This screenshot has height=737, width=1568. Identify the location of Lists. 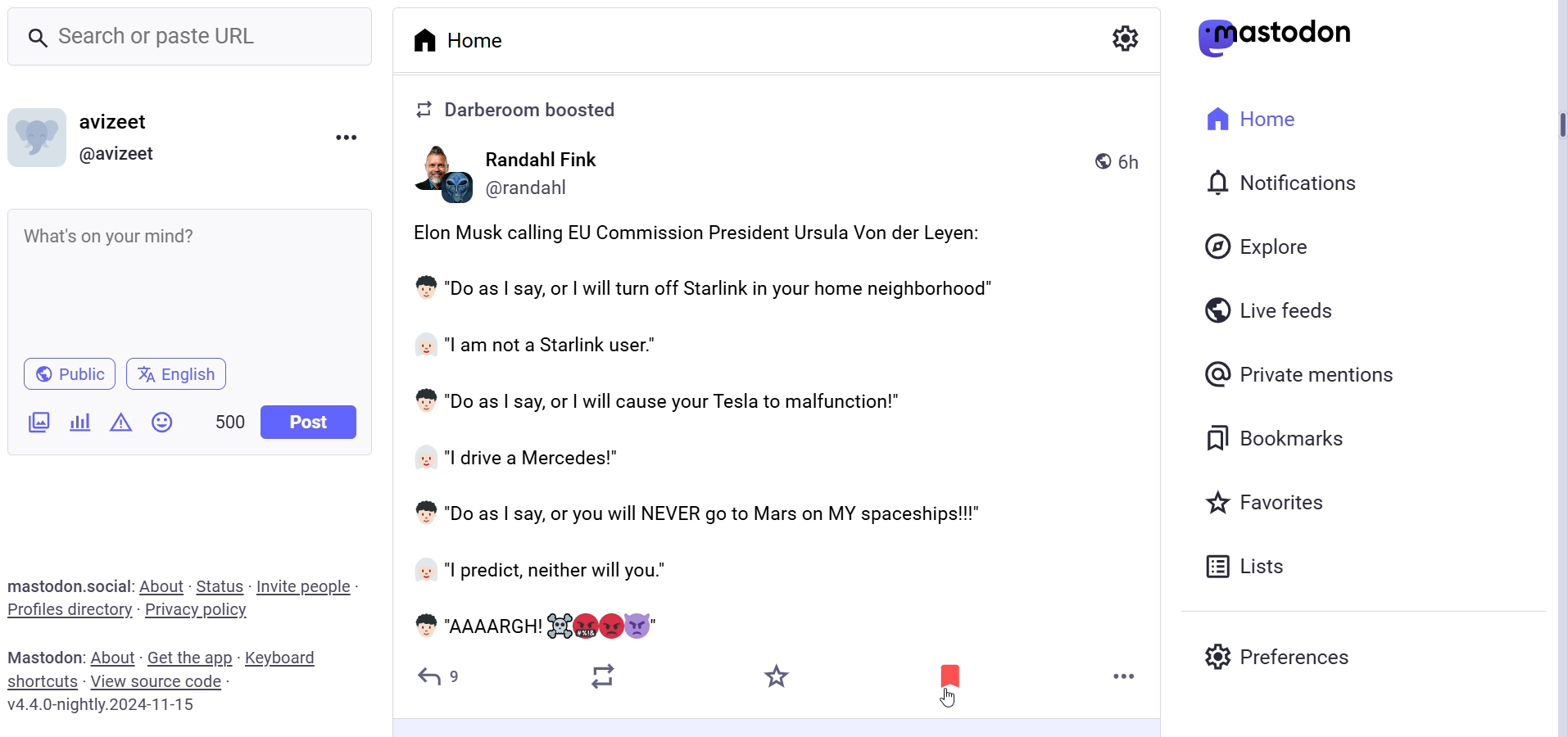
(1250, 565).